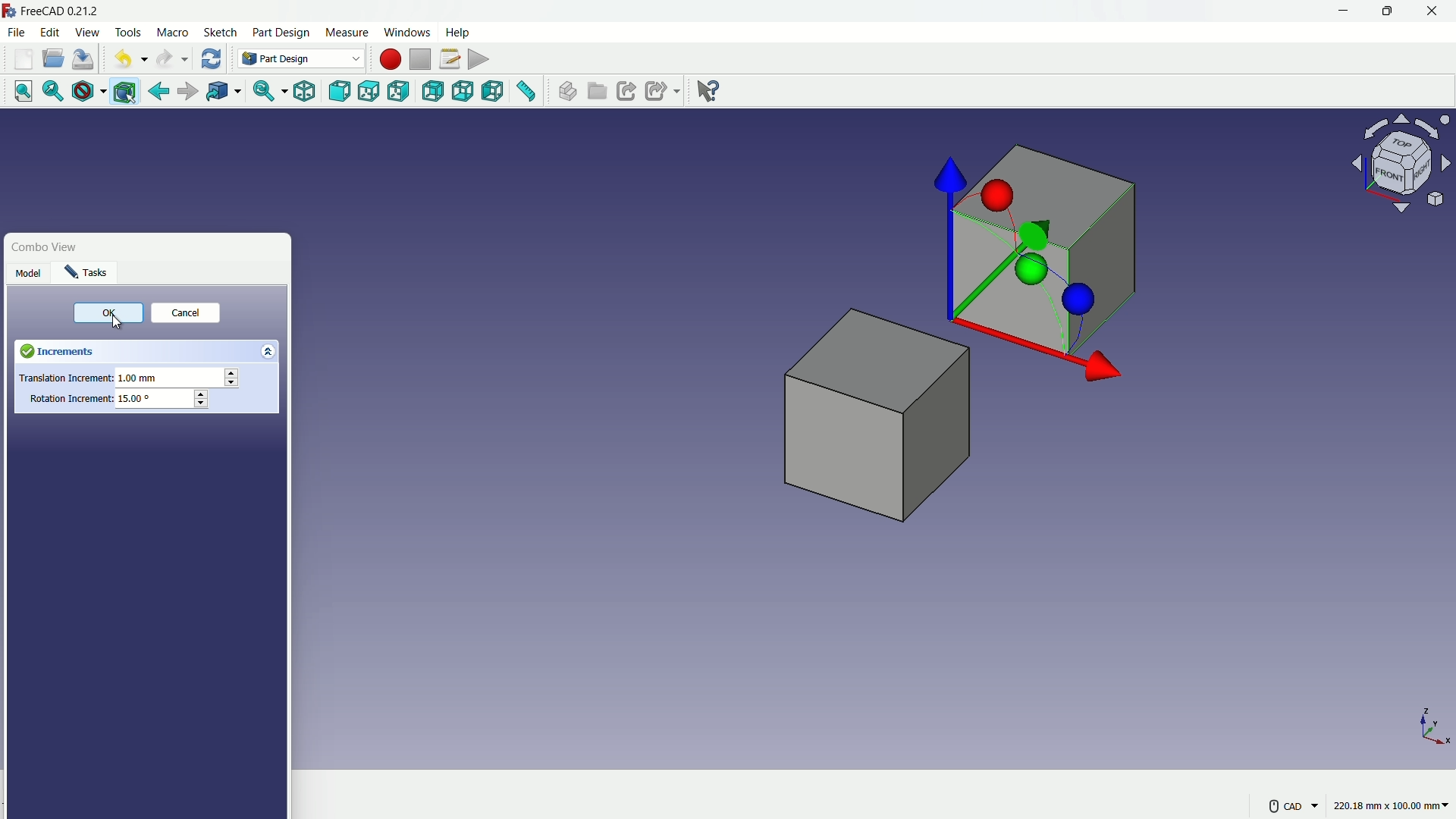 Image resolution: width=1456 pixels, height=819 pixels. I want to click on Model, so click(29, 274).